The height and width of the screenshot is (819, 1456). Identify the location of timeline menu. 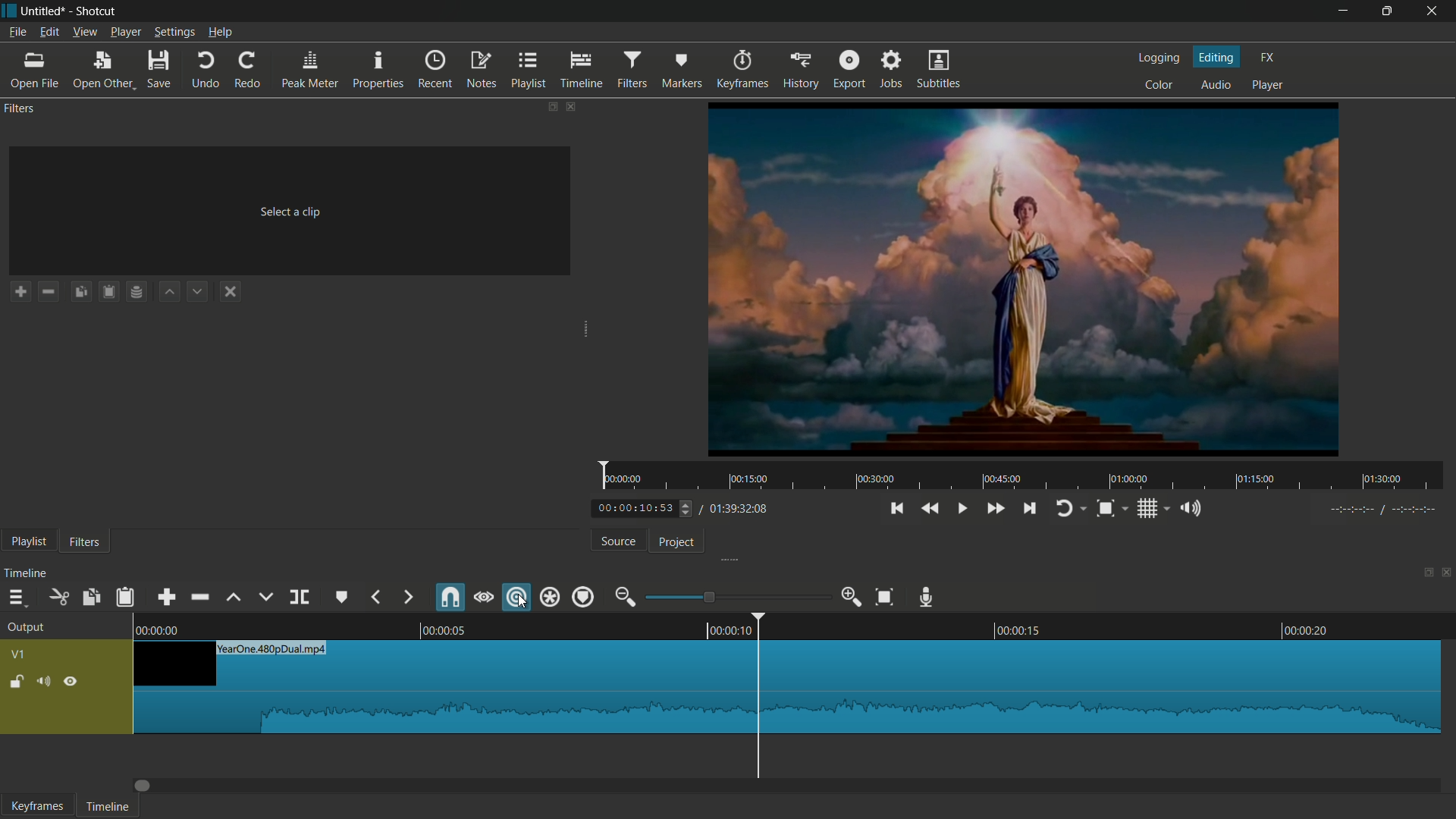
(17, 598).